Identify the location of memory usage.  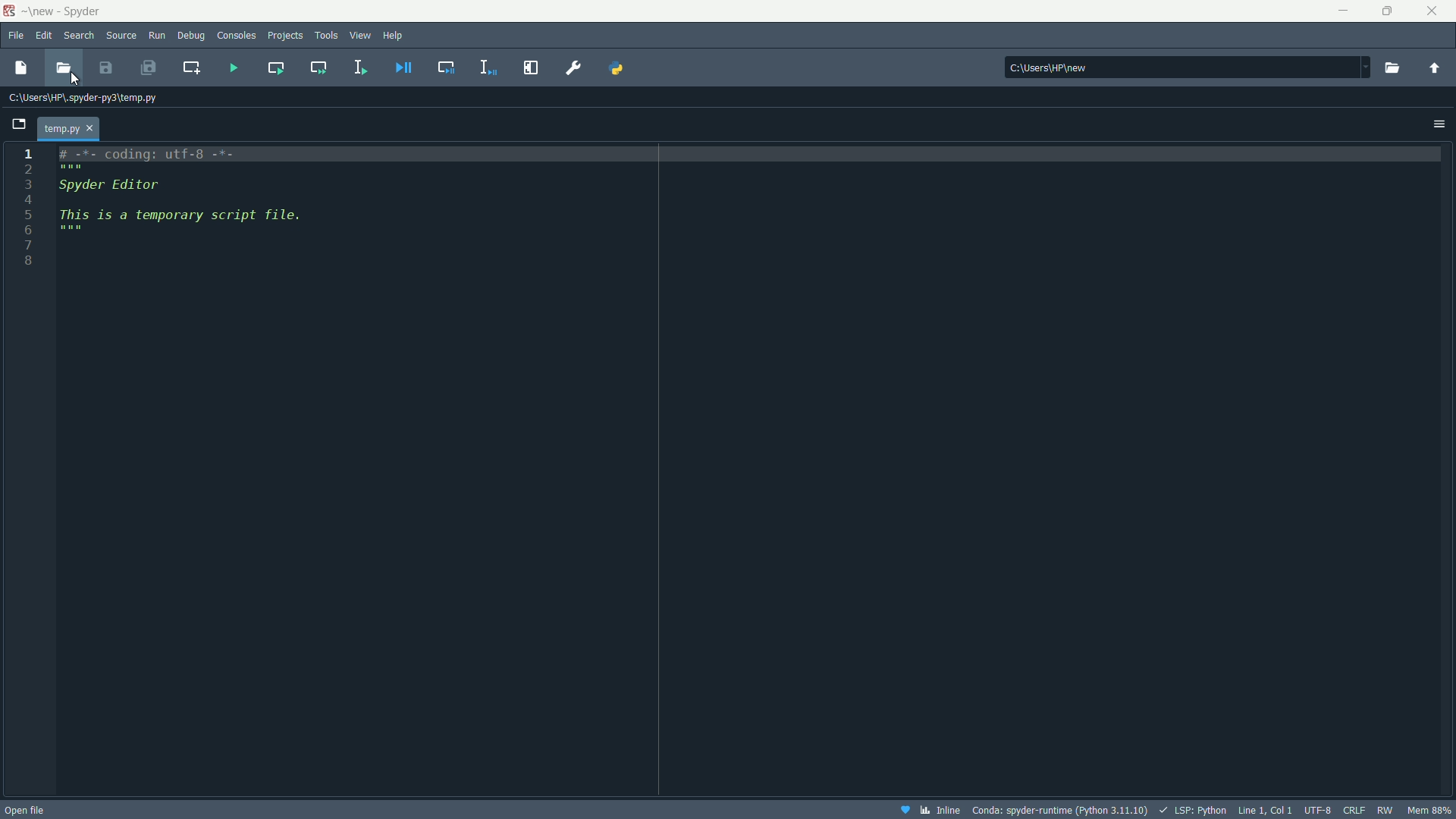
(1429, 811).